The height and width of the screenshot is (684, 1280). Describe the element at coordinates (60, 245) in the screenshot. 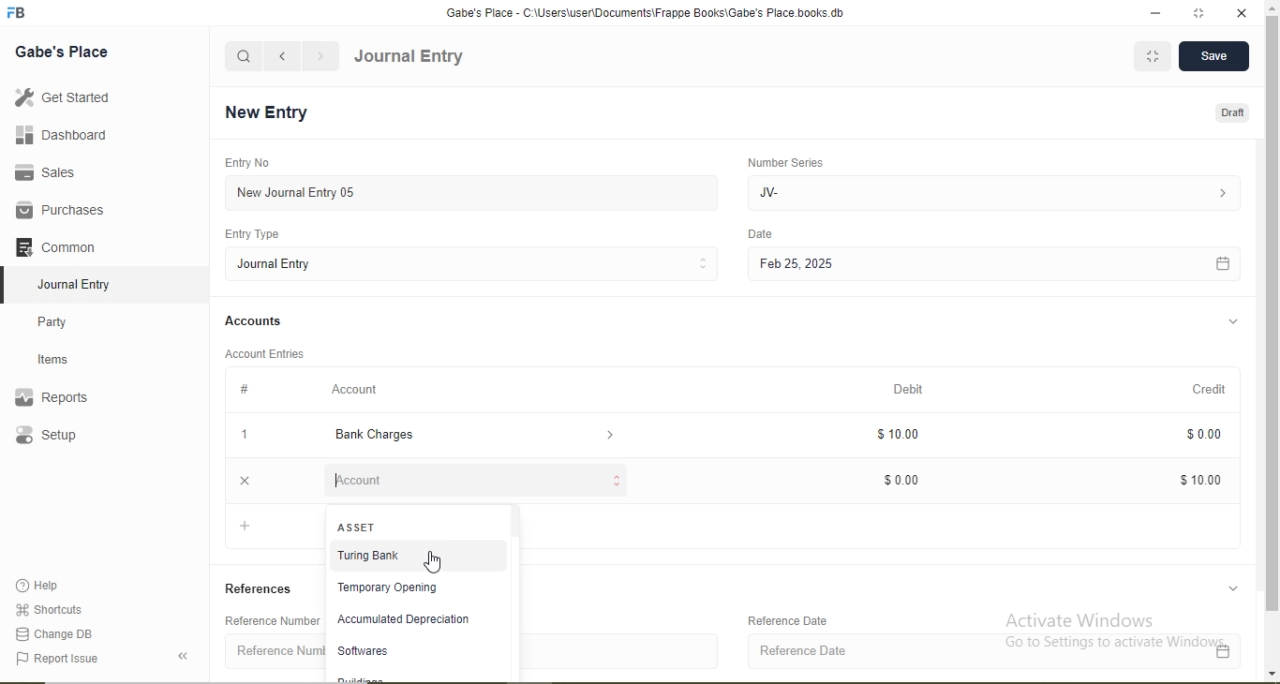

I see `Common` at that location.